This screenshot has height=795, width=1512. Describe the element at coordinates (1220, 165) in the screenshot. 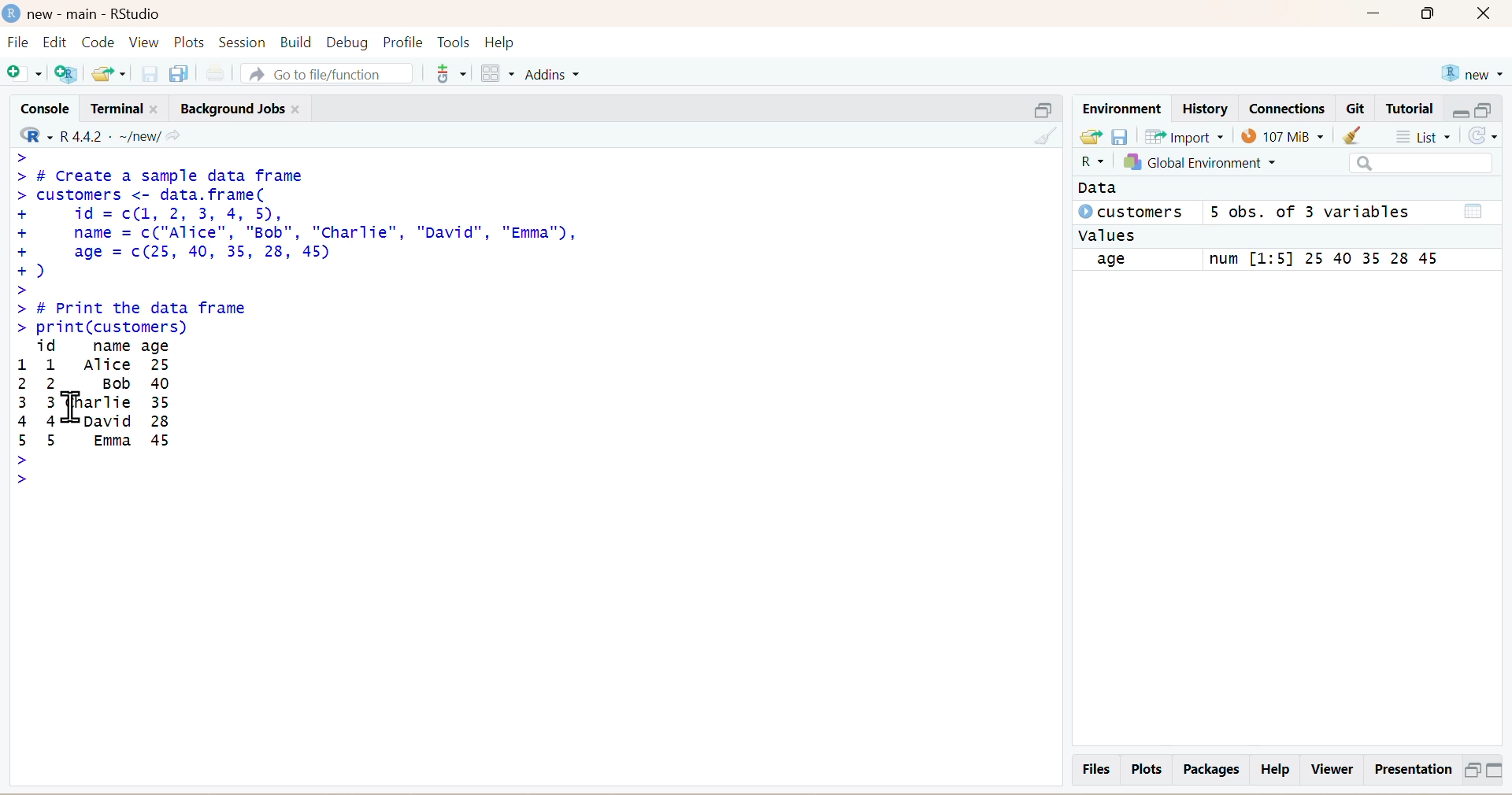

I see `Global Environment ` at that location.